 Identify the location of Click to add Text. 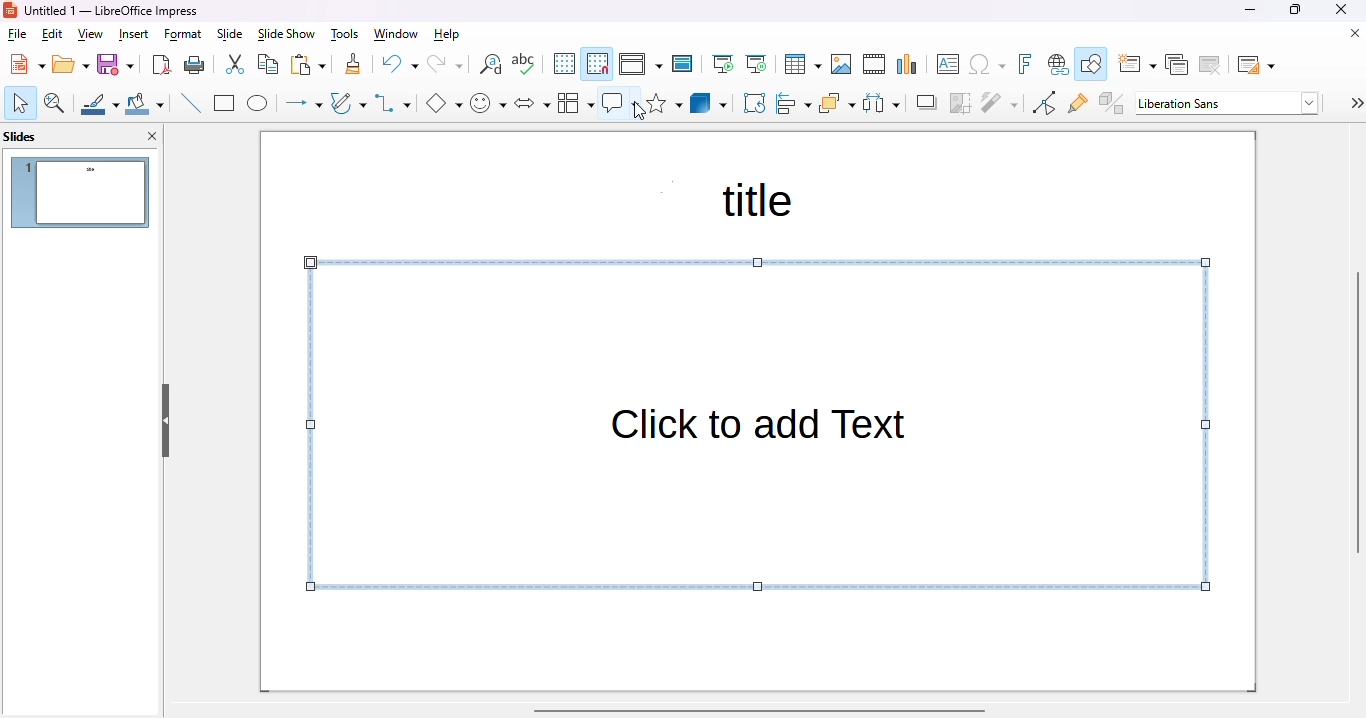
(756, 423).